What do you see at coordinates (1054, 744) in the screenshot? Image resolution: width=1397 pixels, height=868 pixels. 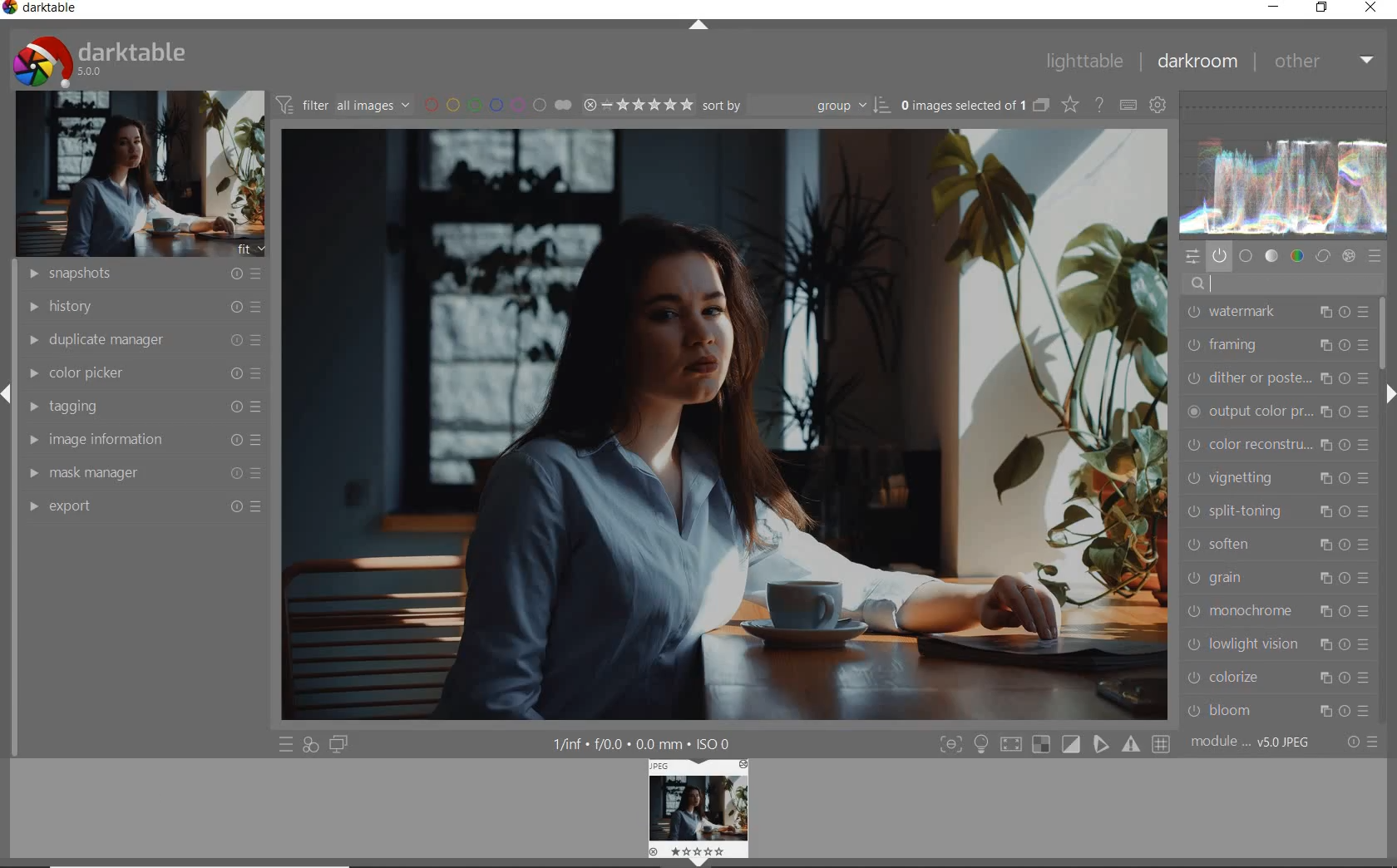 I see `toggle modes` at bounding box center [1054, 744].